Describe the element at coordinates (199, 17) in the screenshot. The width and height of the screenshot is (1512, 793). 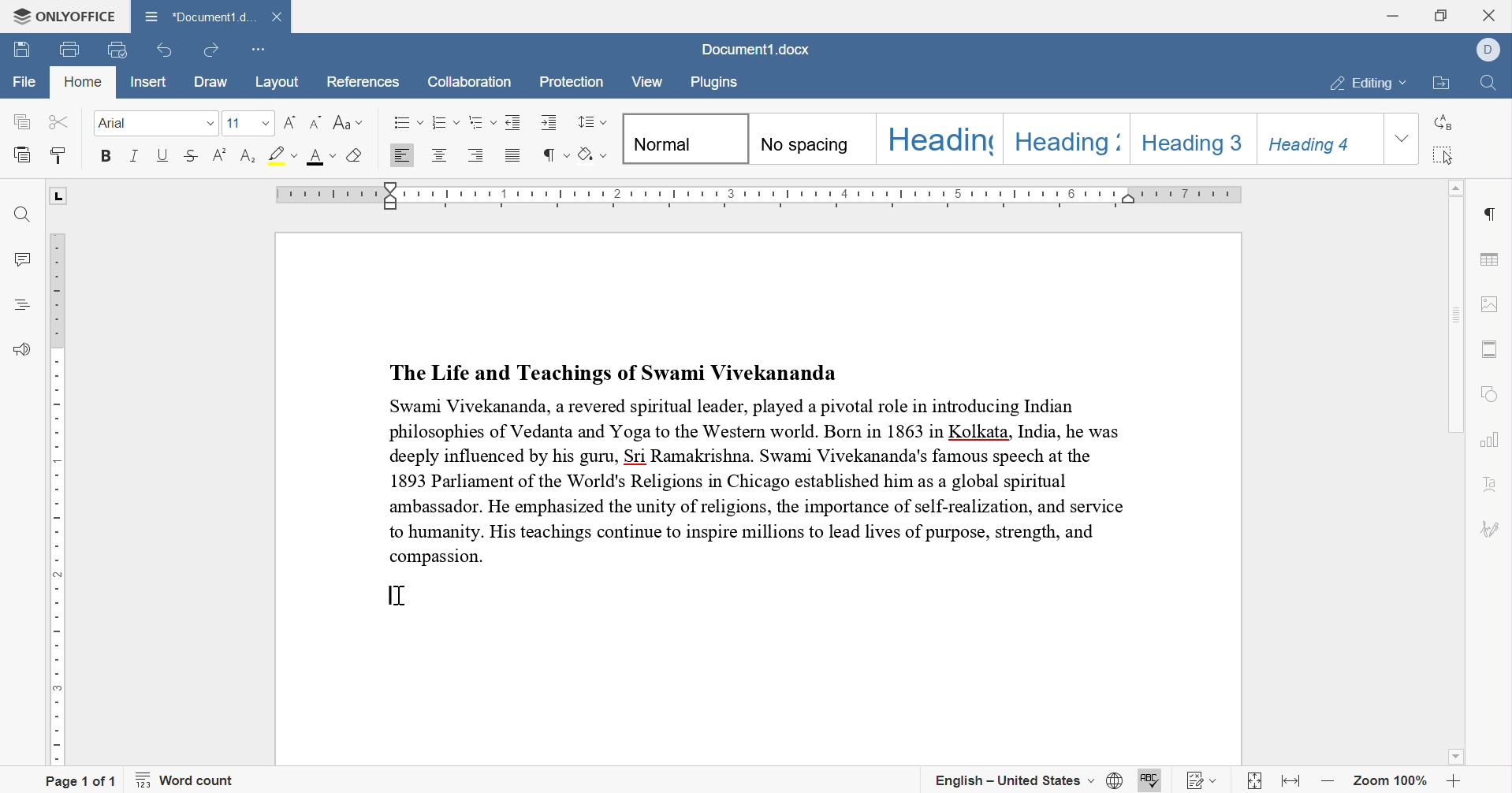
I see `document1.d` at that location.